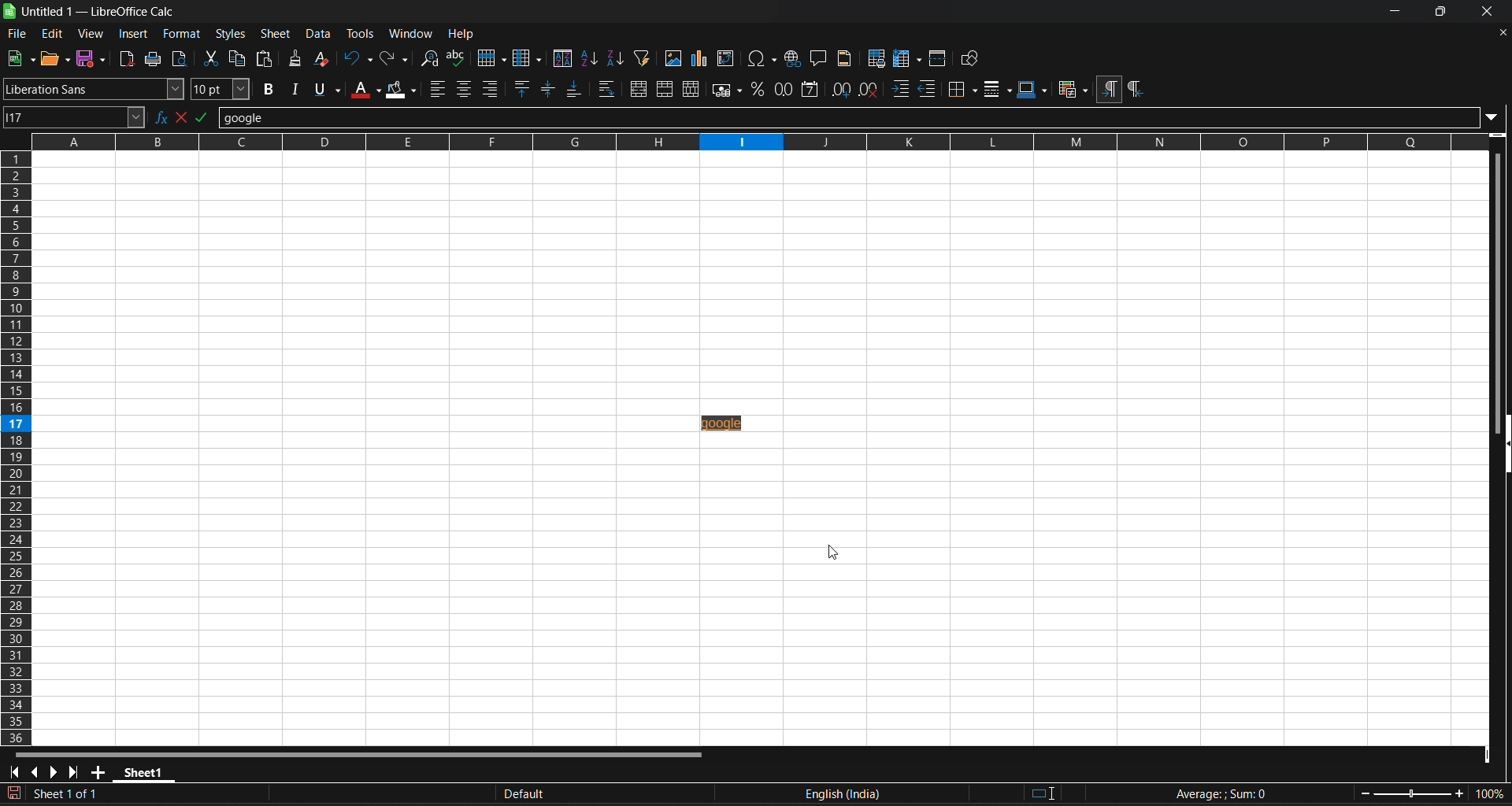 The image size is (1512, 806). I want to click on insert image, so click(674, 58).